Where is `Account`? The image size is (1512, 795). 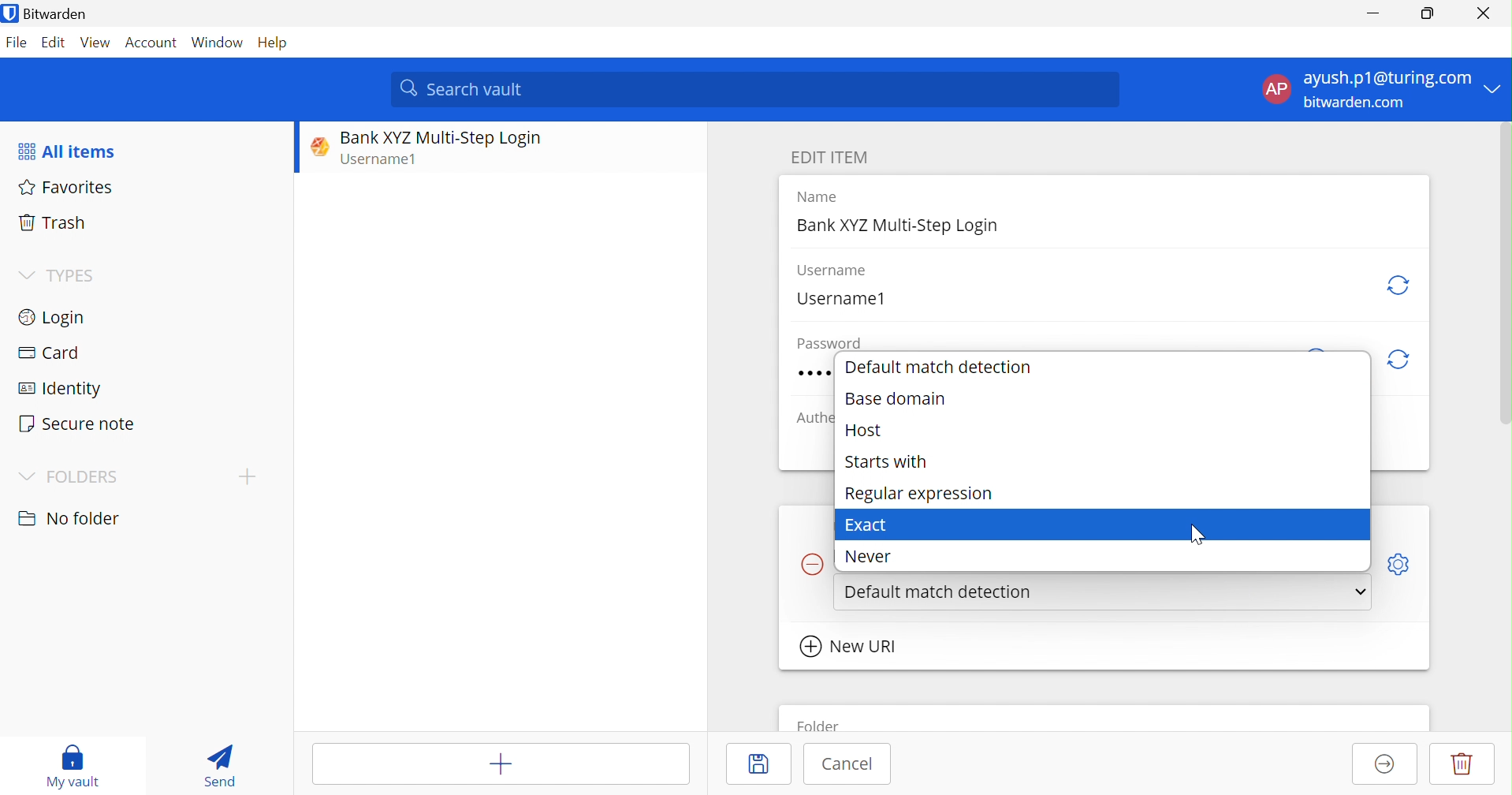
Account is located at coordinates (154, 46).